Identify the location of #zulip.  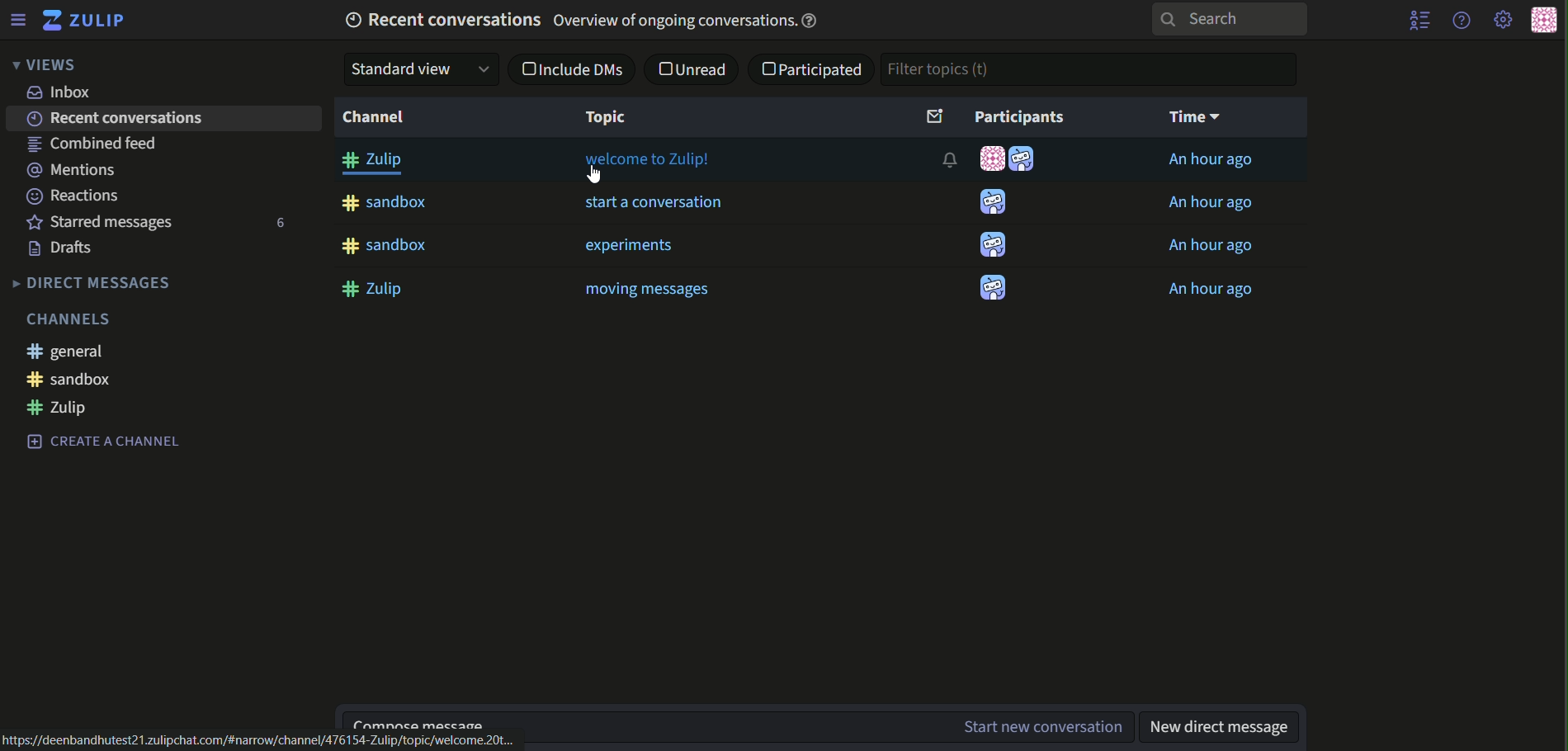
(377, 163).